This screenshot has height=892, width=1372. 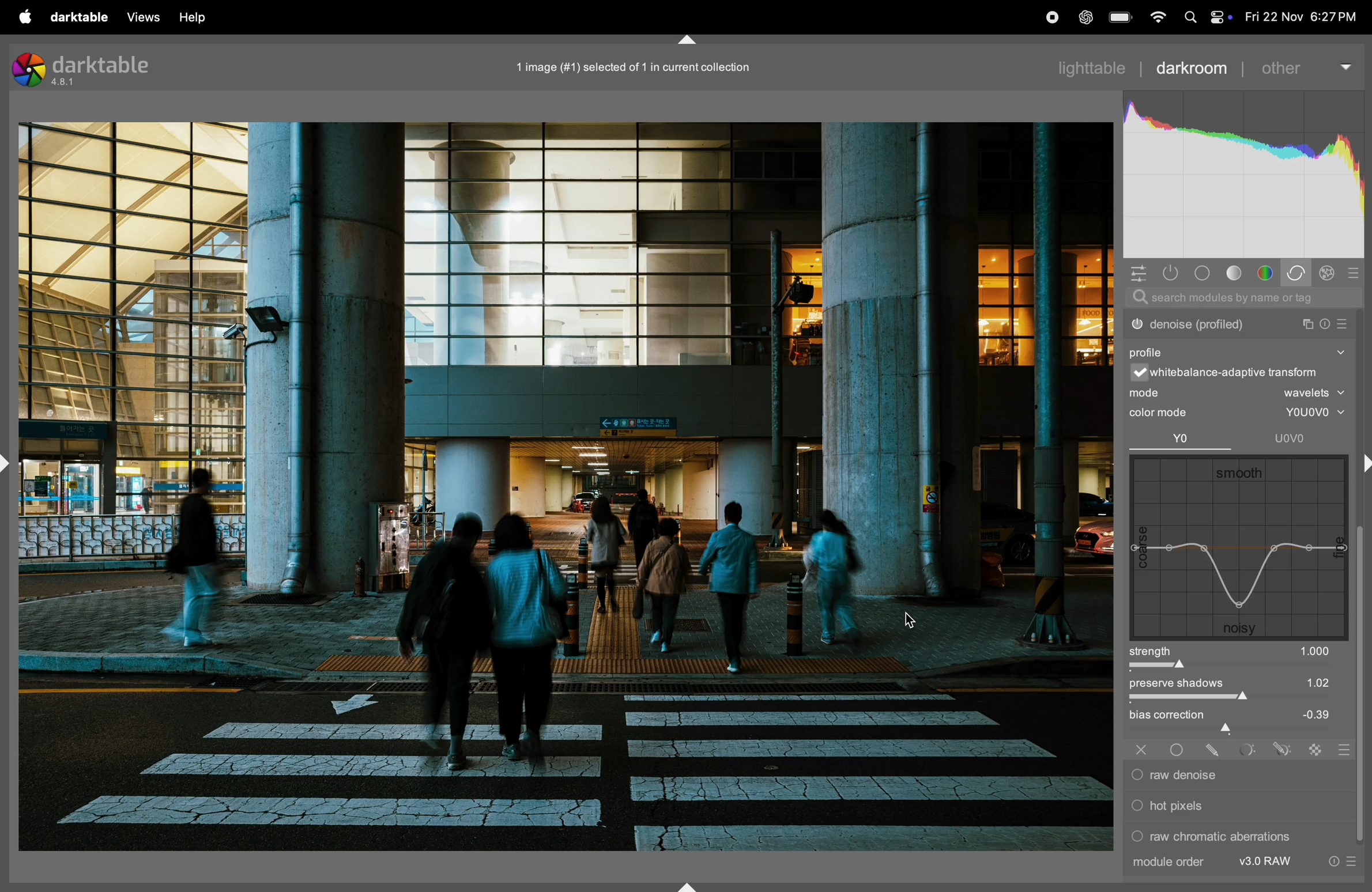 What do you see at coordinates (1299, 273) in the screenshot?
I see `correct` at bounding box center [1299, 273].